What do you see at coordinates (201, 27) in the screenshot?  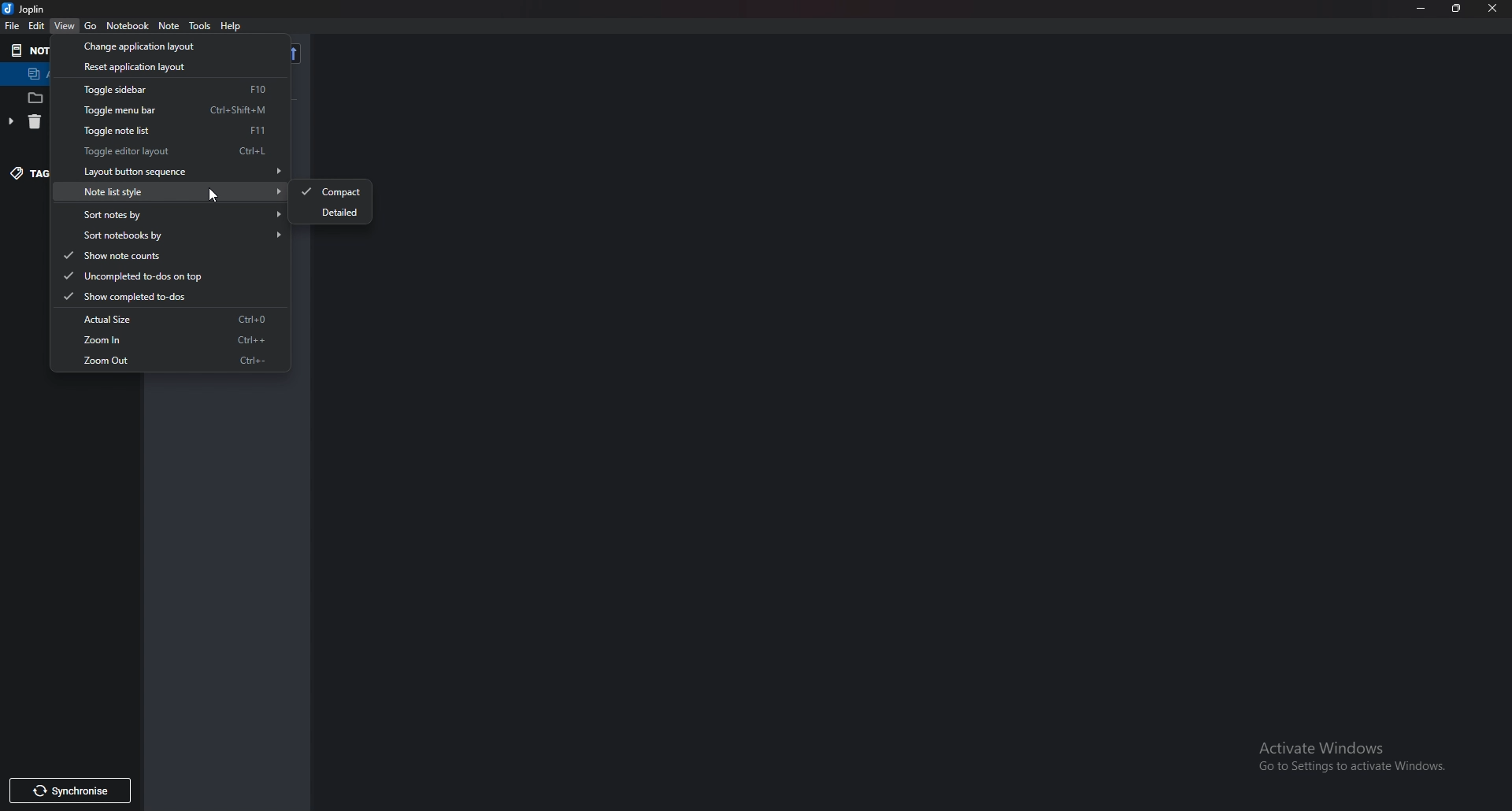 I see `tools` at bounding box center [201, 27].